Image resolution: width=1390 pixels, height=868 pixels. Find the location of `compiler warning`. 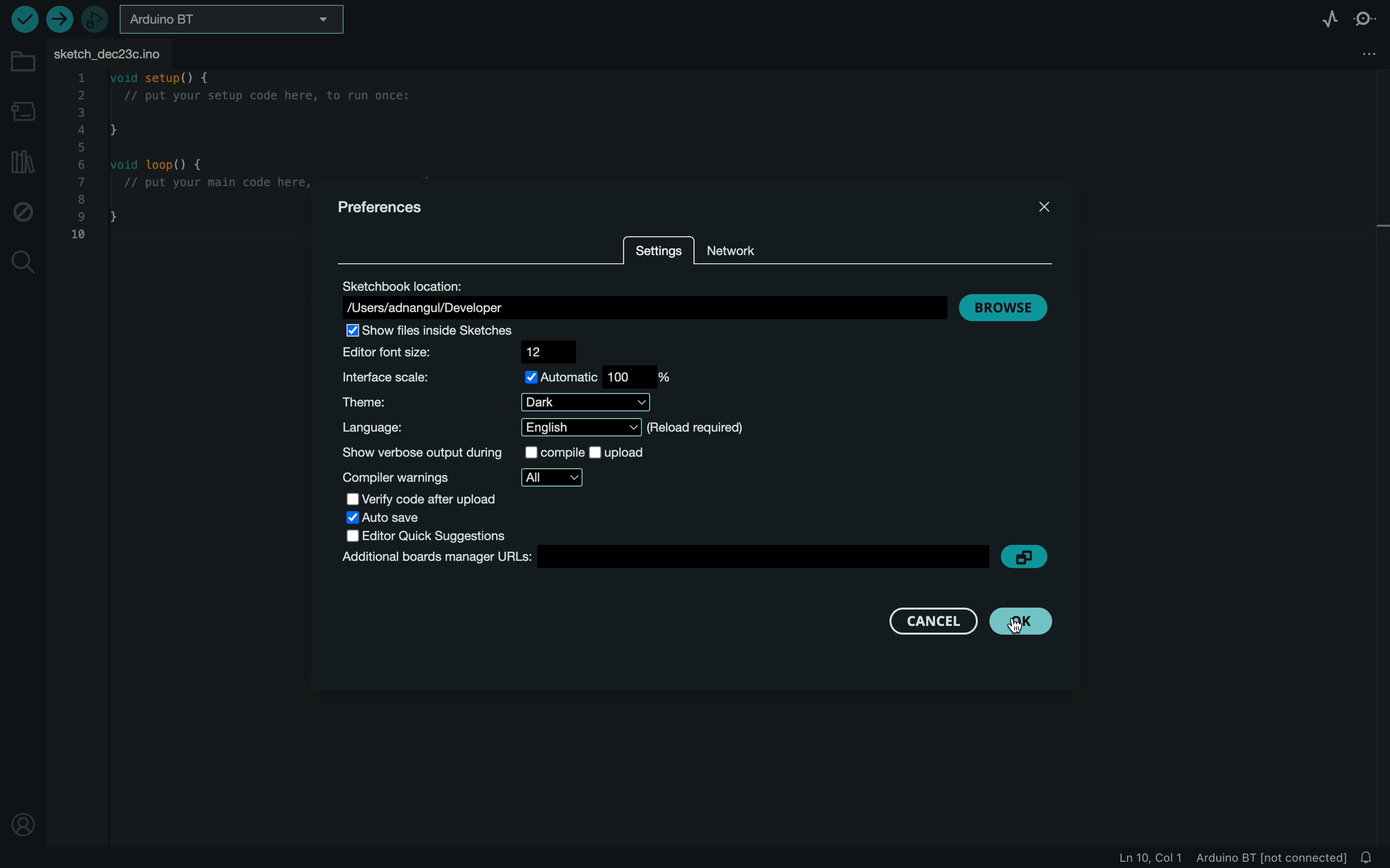

compiler warning is located at coordinates (464, 478).